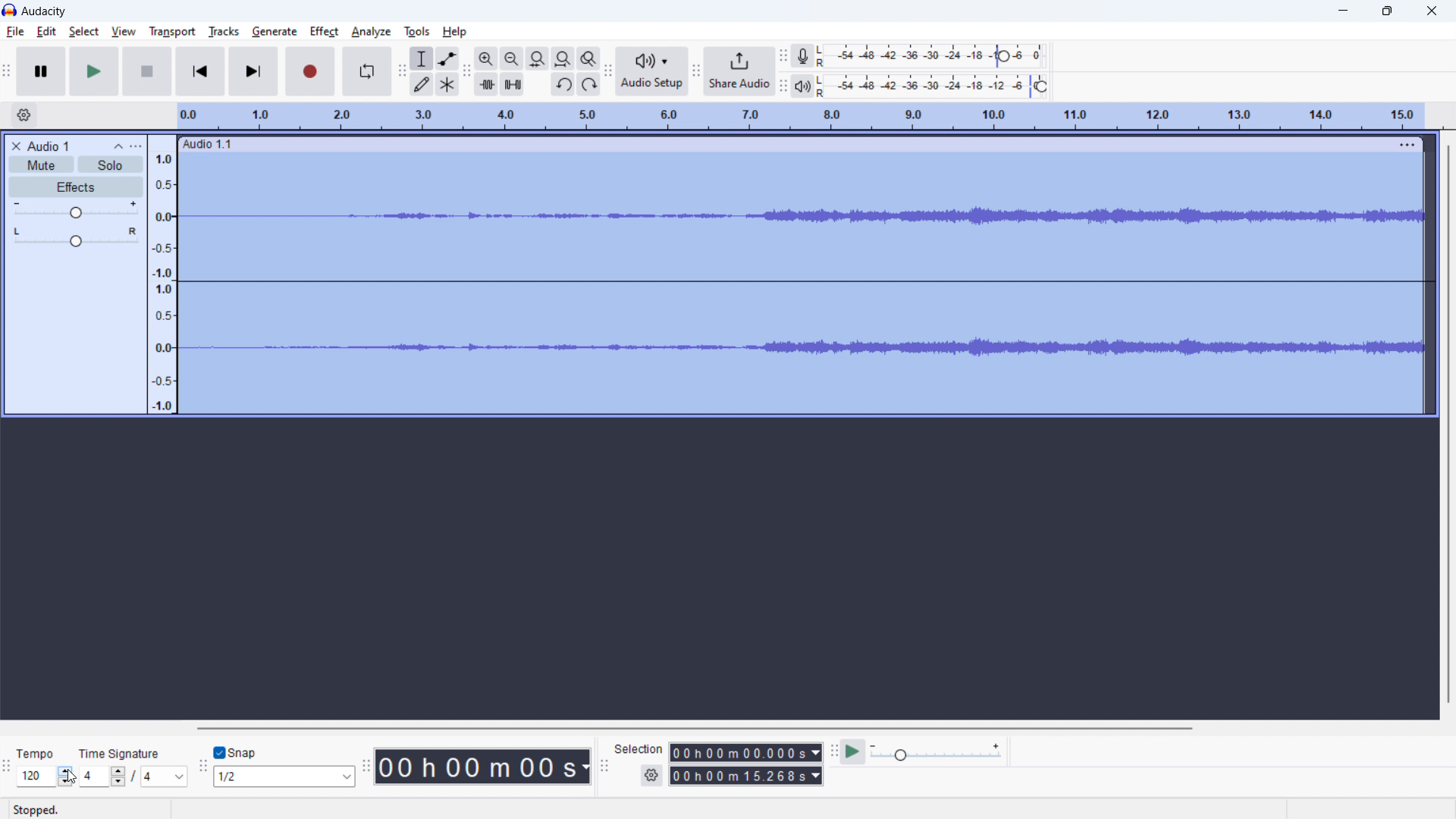  What do you see at coordinates (807, 116) in the screenshot?
I see `timeline` at bounding box center [807, 116].